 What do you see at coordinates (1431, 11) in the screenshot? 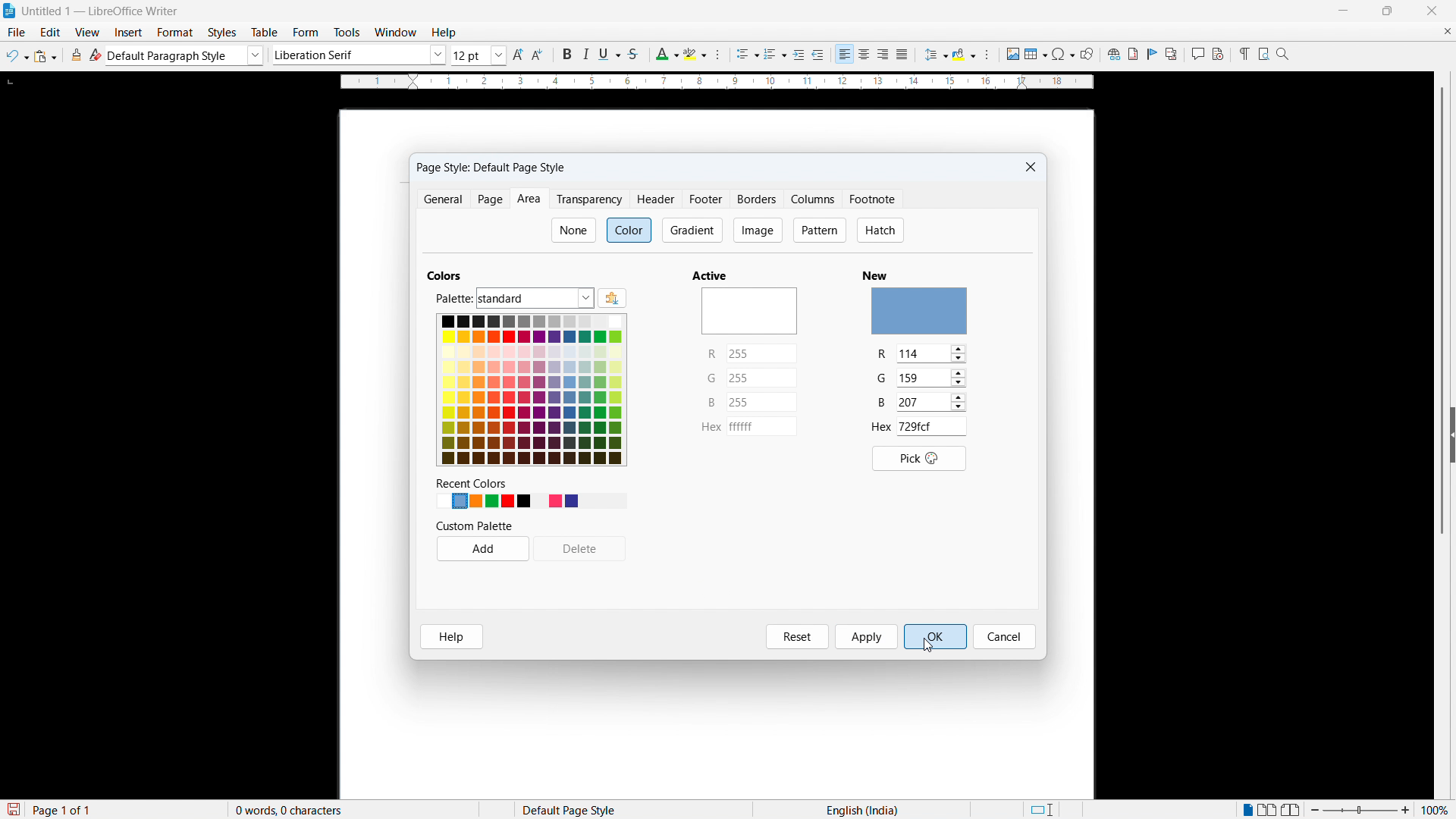
I see `Close ` at bounding box center [1431, 11].